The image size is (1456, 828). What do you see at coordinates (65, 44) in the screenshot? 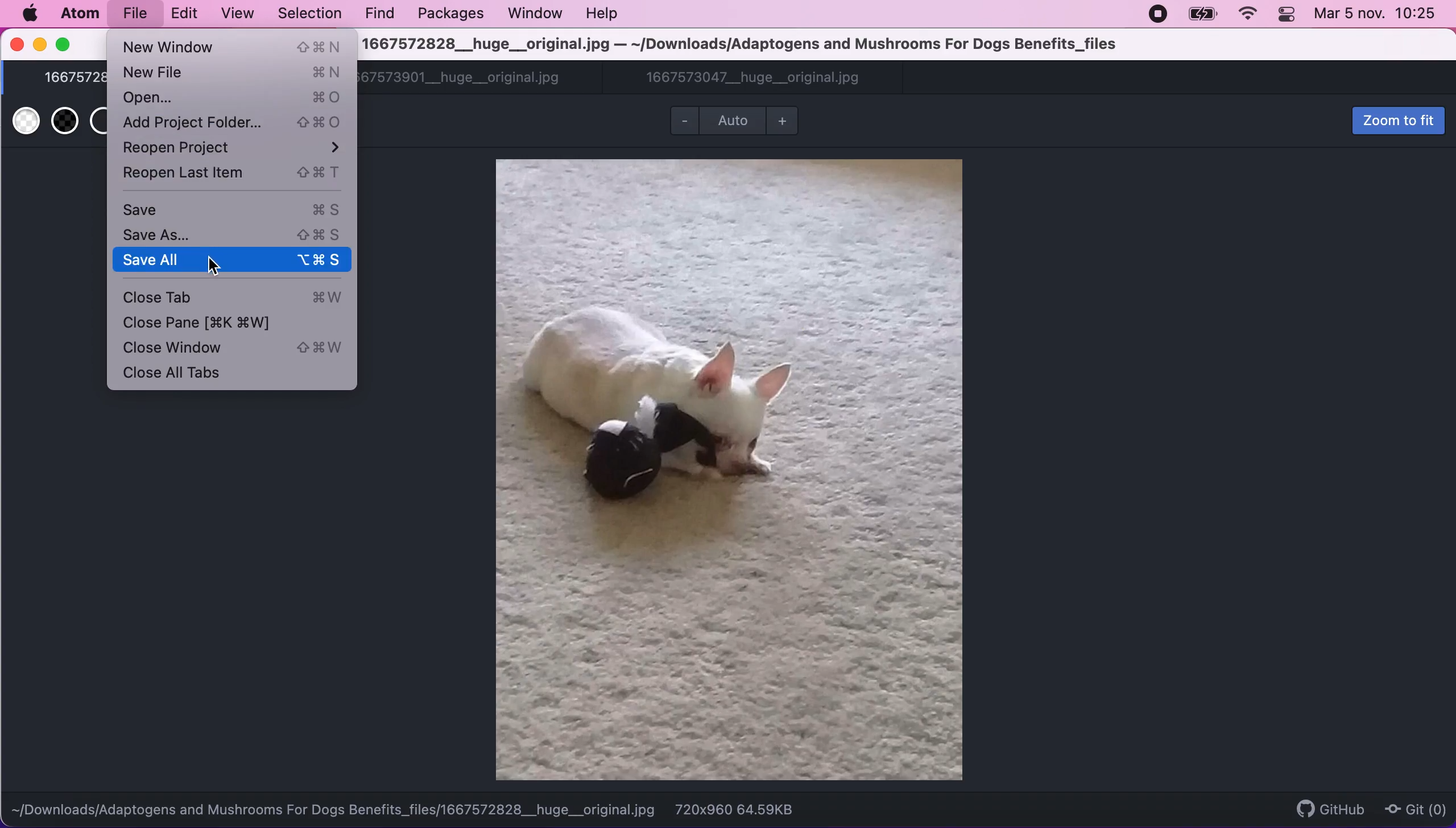
I see `maximize` at bounding box center [65, 44].